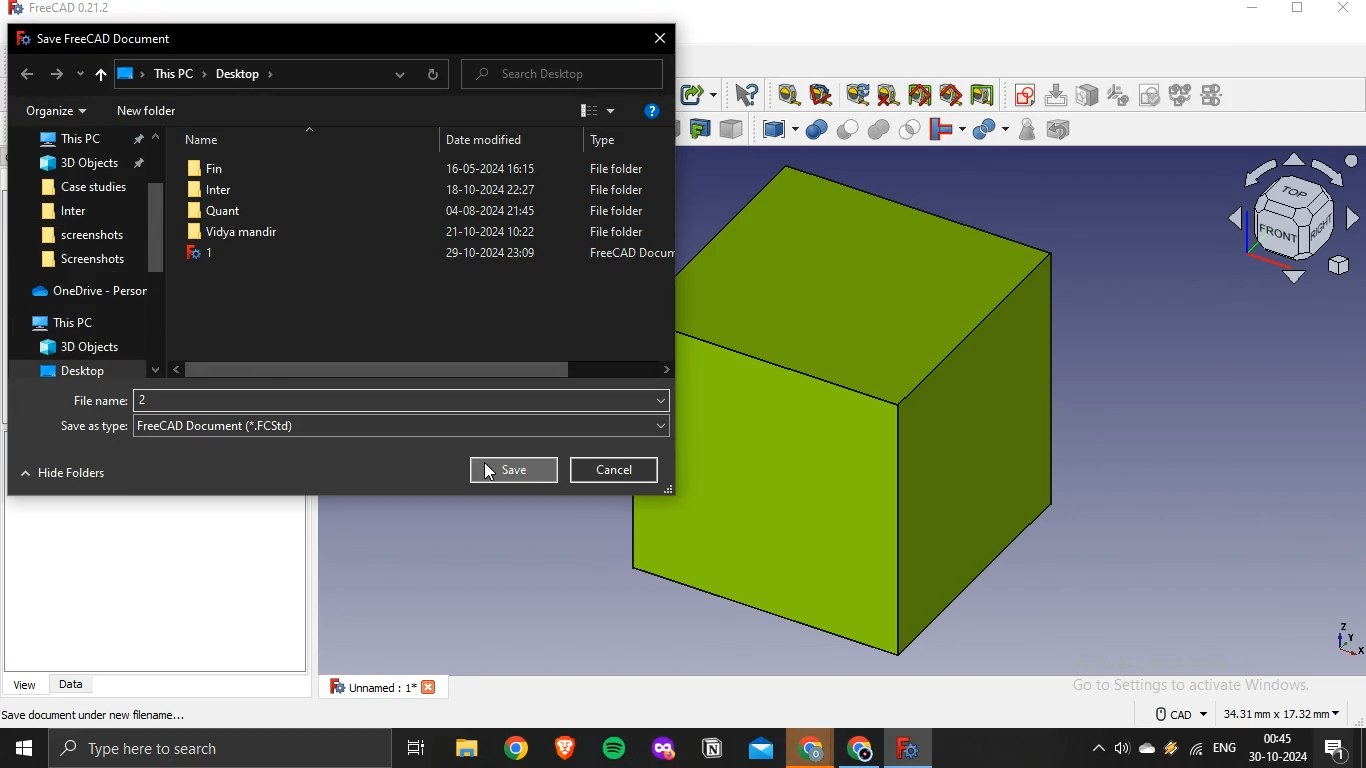 The width and height of the screenshot is (1366, 768). What do you see at coordinates (420, 749) in the screenshot?
I see `task view` at bounding box center [420, 749].